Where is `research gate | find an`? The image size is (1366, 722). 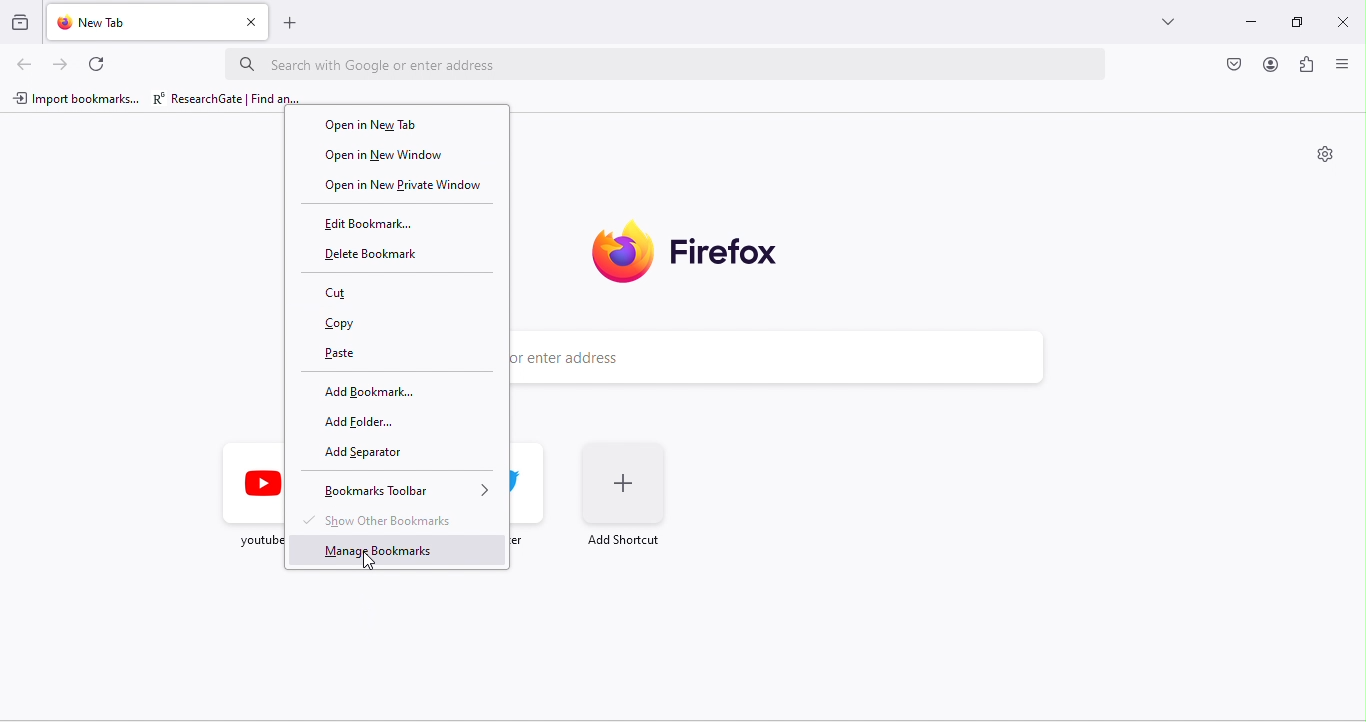
research gate | find an is located at coordinates (225, 96).